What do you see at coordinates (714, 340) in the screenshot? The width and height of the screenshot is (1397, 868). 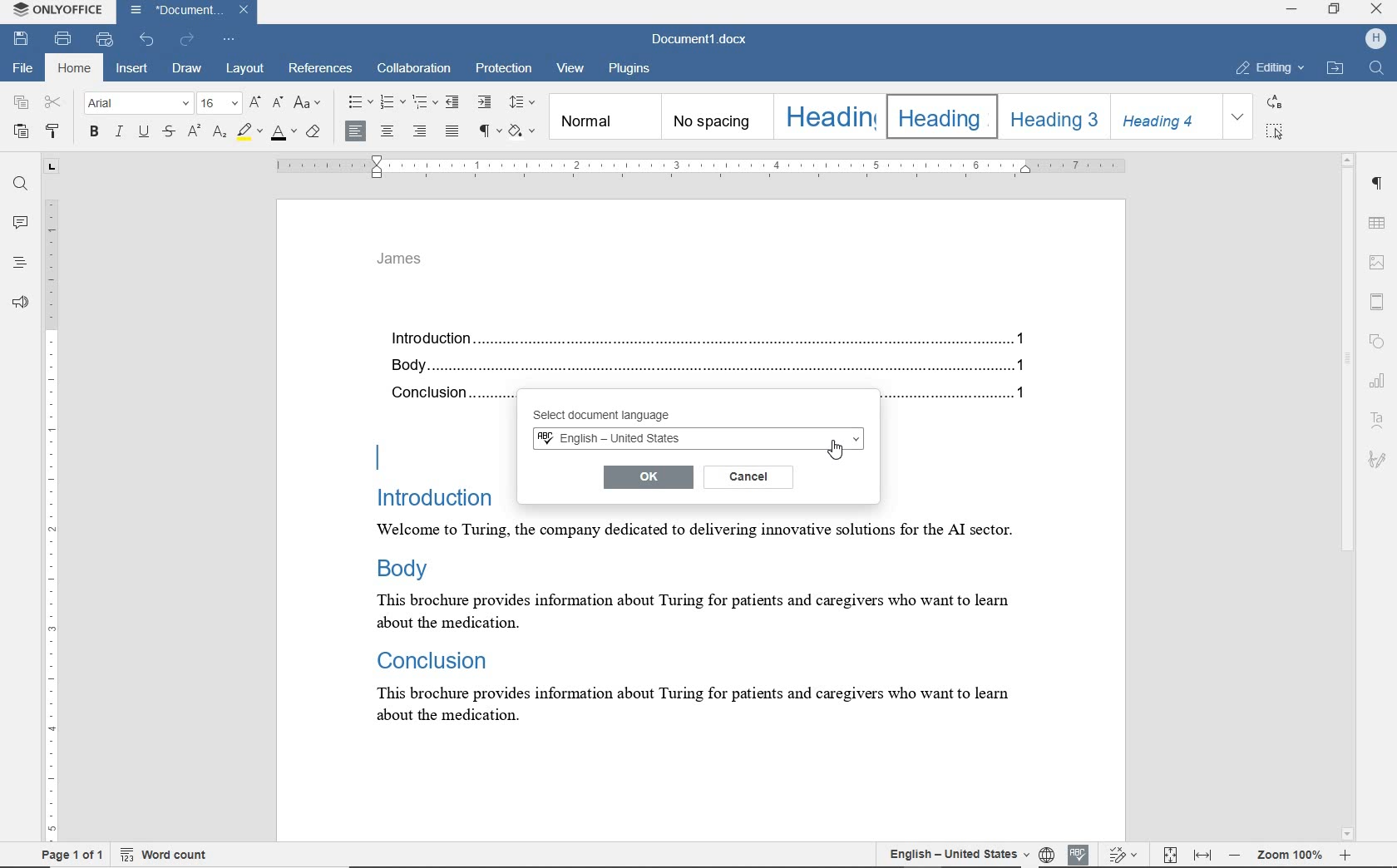 I see `Introduction.......................................................................................................................................1` at bounding box center [714, 340].